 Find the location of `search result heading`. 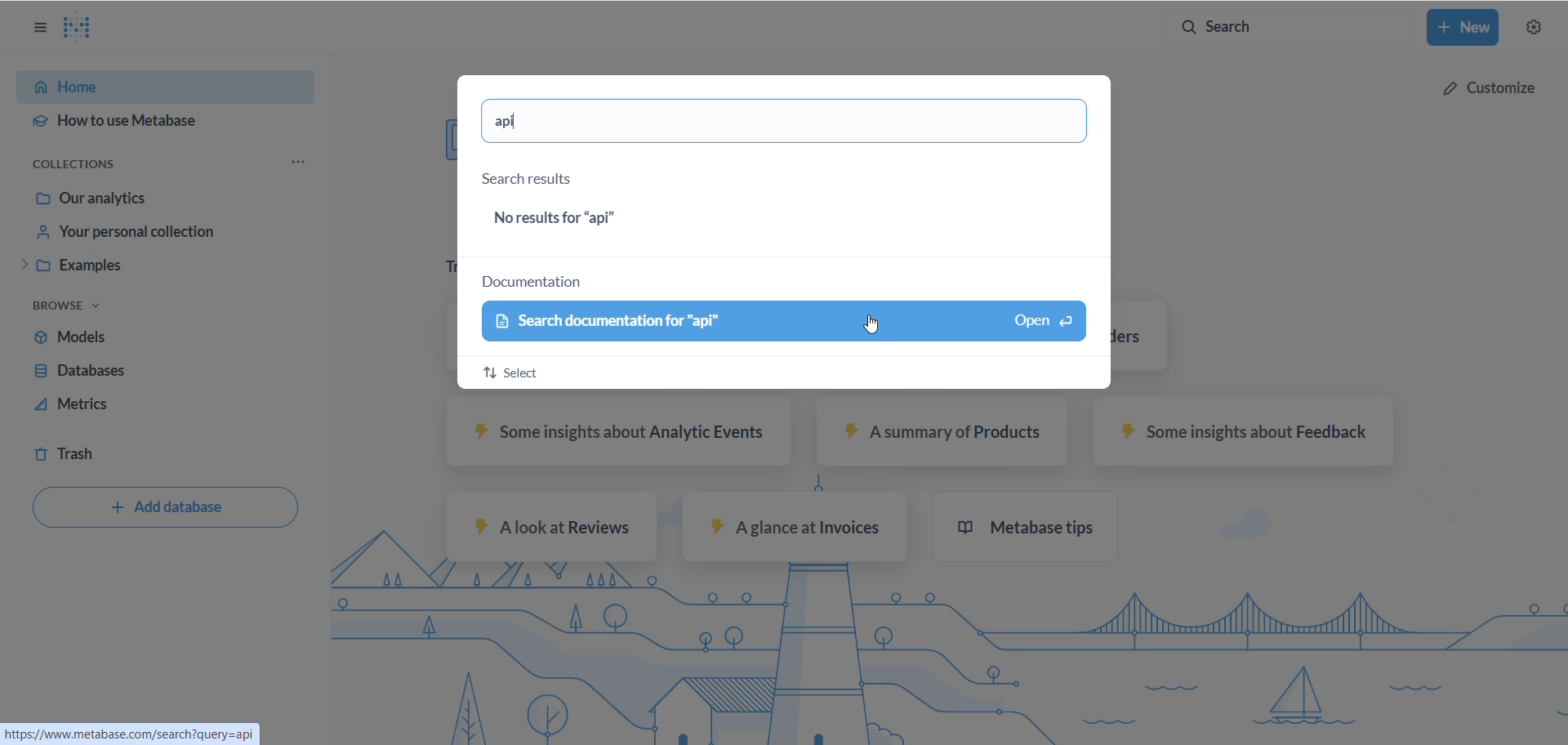

search result heading is located at coordinates (541, 178).